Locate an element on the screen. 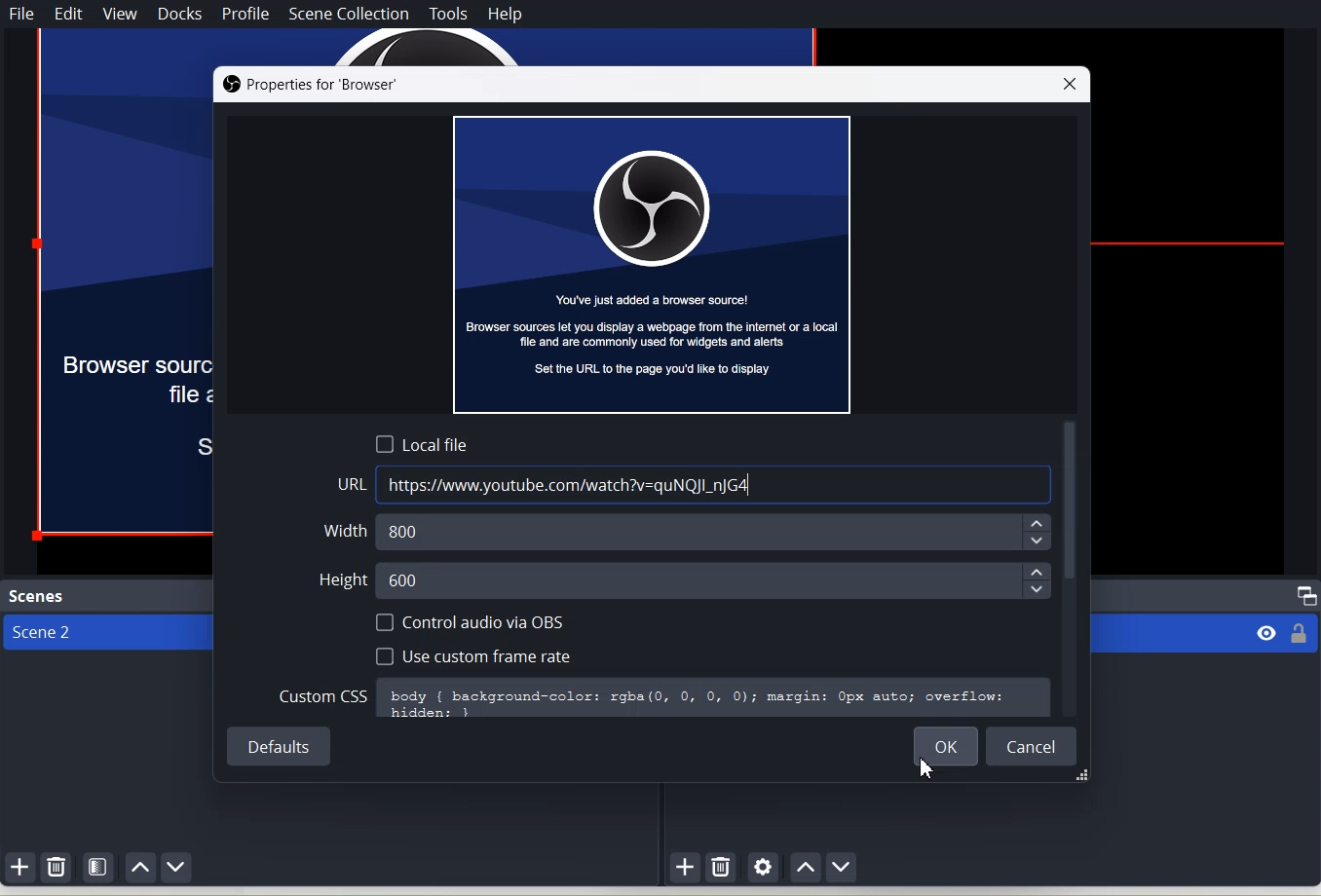  Default is located at coordinates (278, 745).